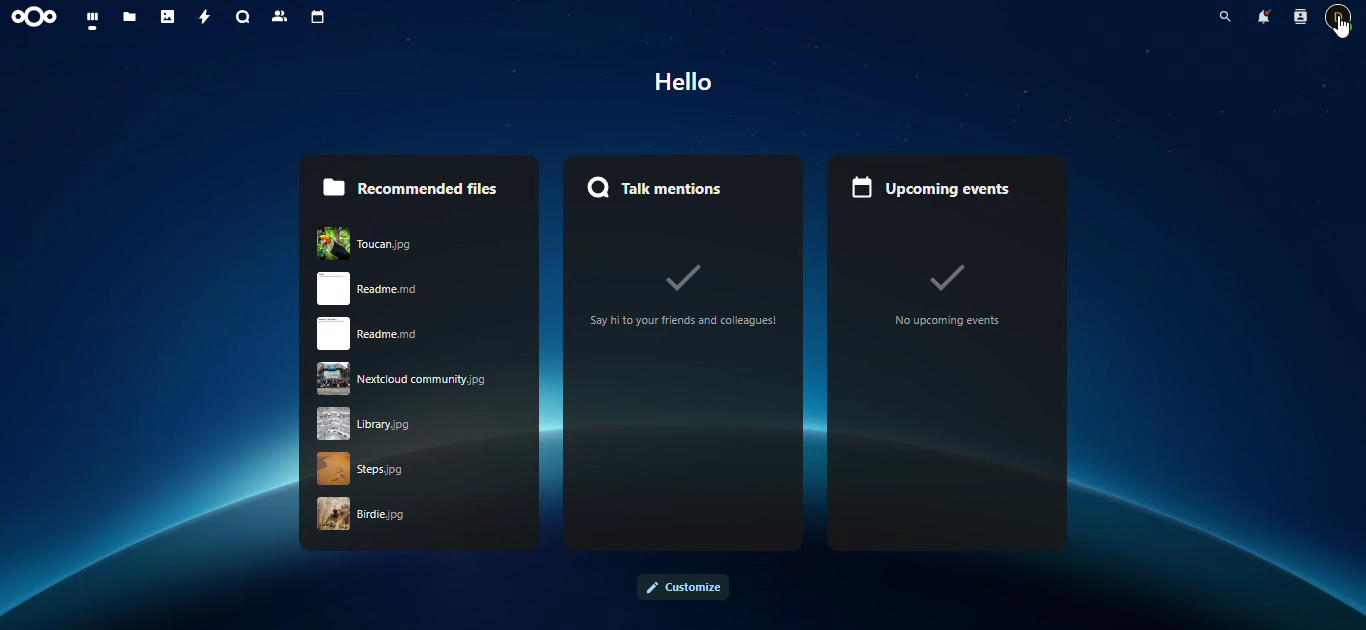 This screenshot has height=630, width=1366. Describe the element at coordinates (680, 302) in the screenshot. I see `Say hi to your friends and colleagues!` at that location.